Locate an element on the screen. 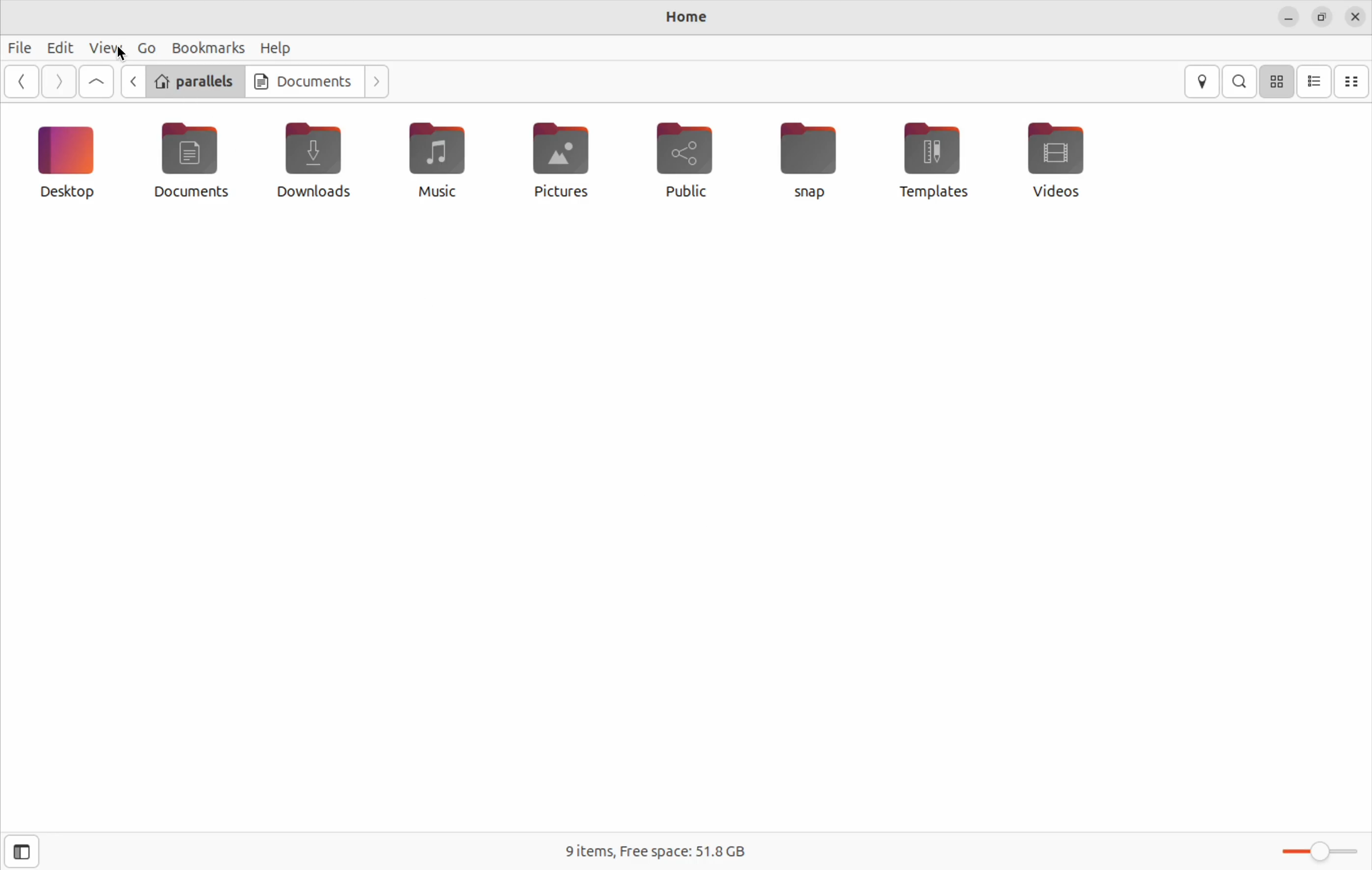 The height and width of the screenshot is (870, 1372). icon view is located at coordinates (1276, 81).